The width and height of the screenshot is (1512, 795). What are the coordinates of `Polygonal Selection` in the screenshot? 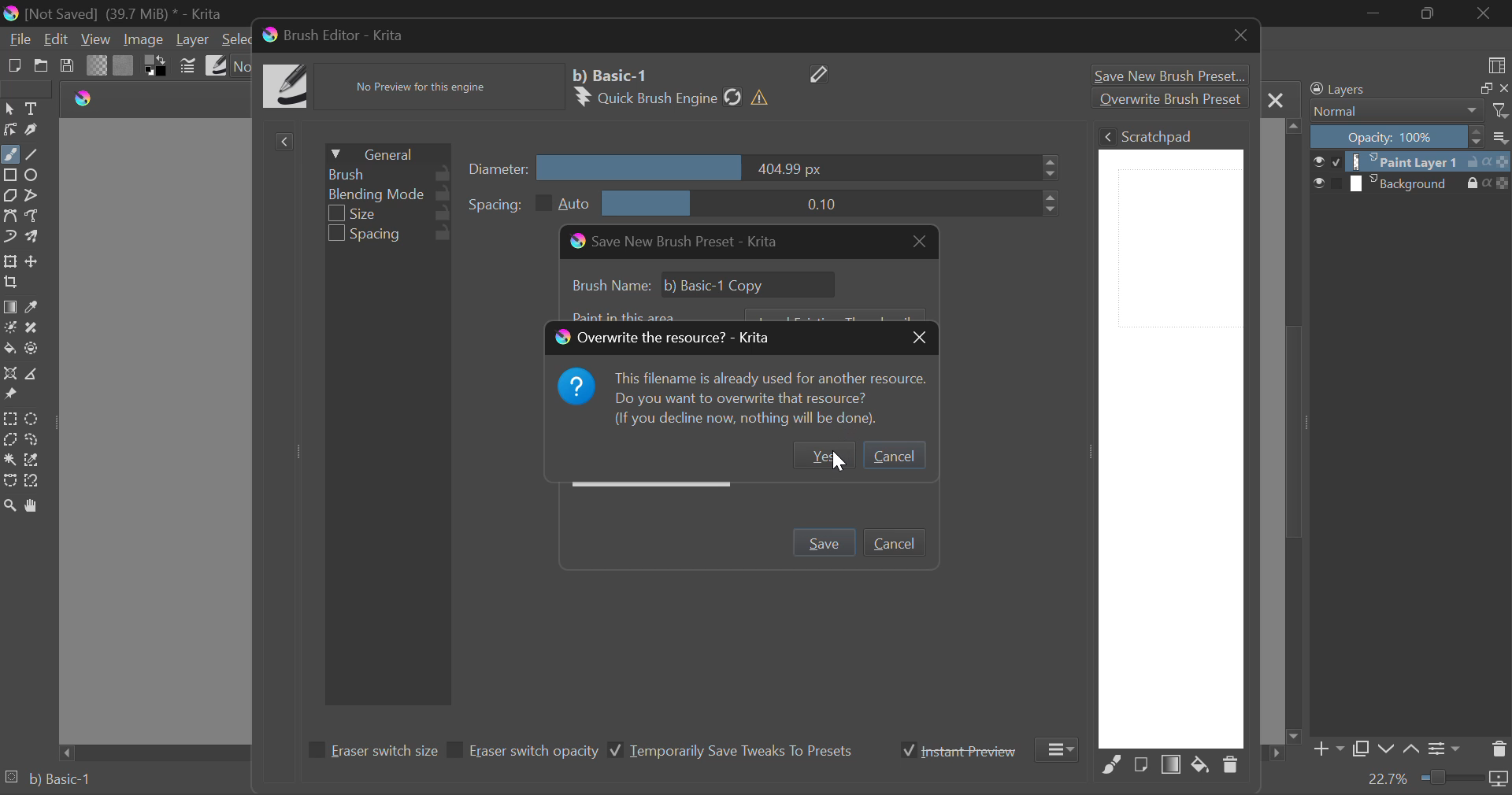 It's located at (9, 439).